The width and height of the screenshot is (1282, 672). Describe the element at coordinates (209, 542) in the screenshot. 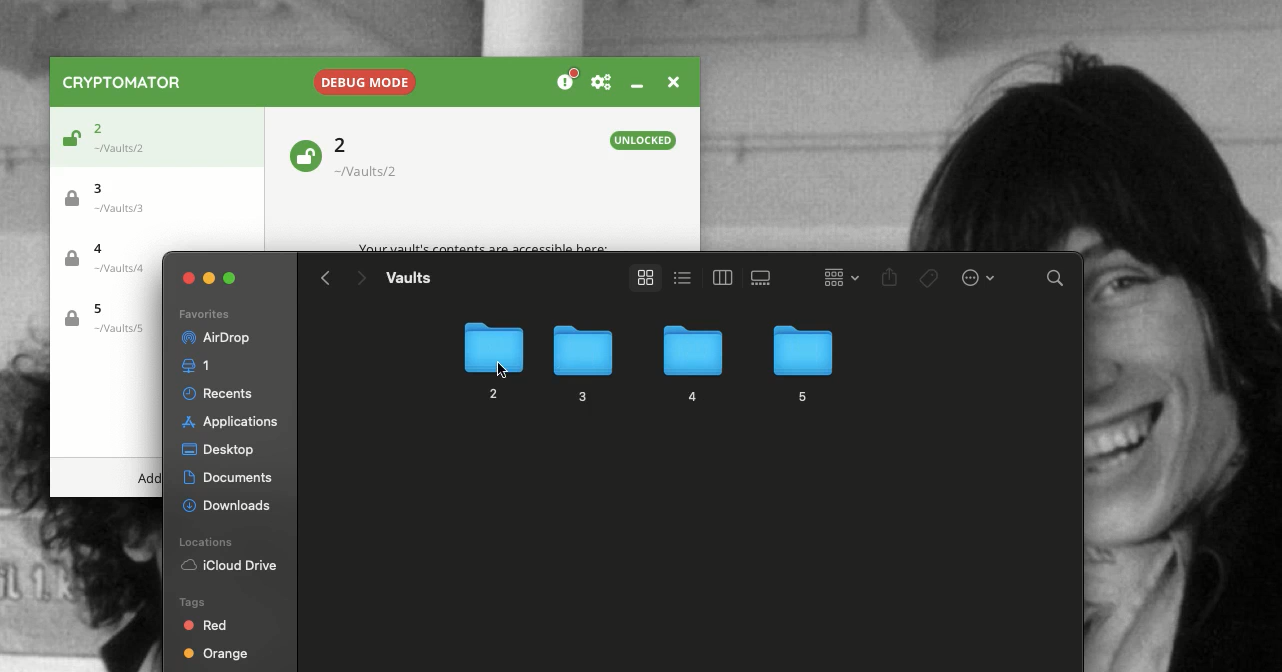

I see `Locations` at that location.